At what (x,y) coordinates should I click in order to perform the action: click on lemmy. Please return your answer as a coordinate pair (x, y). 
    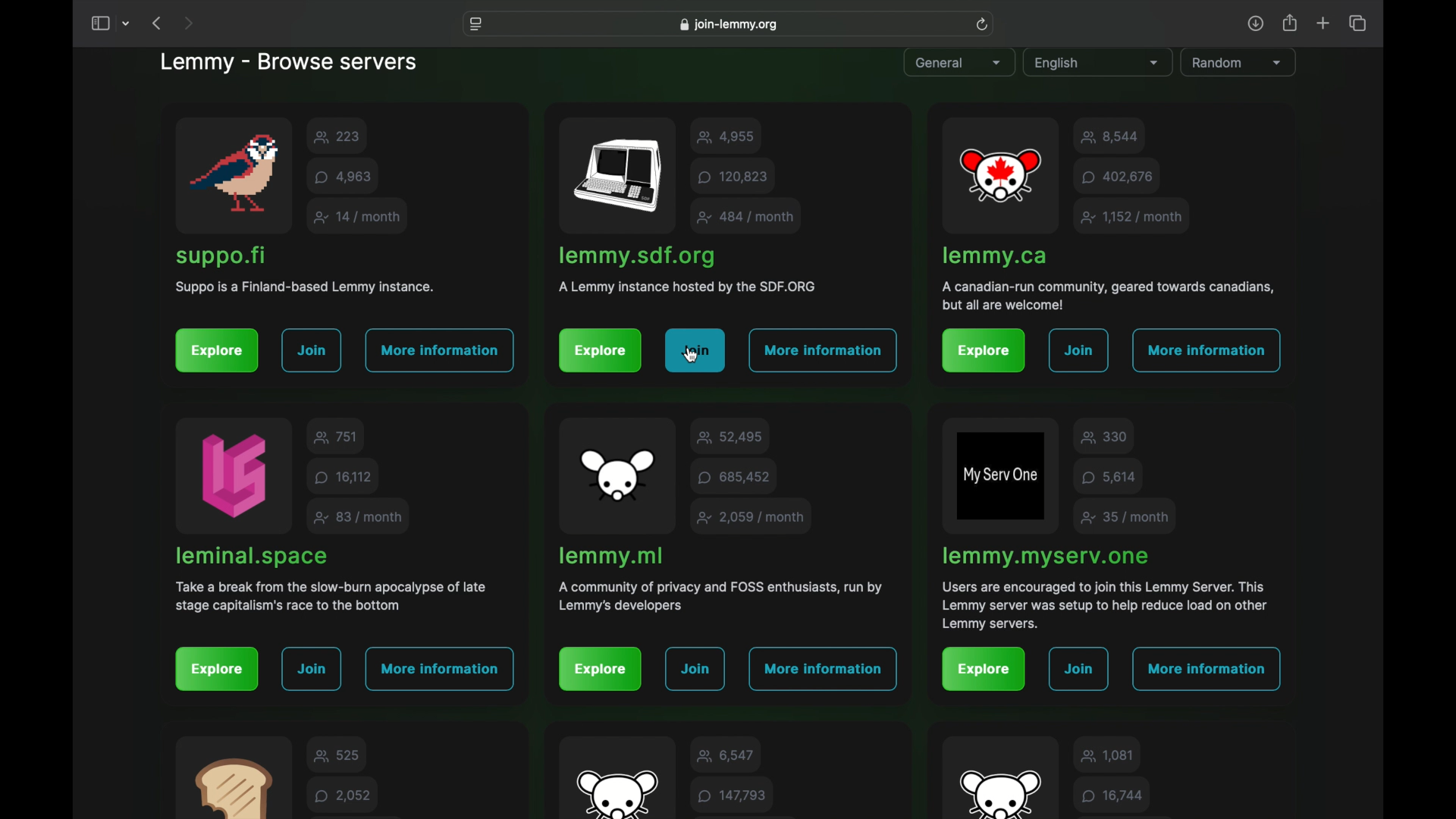
    Looking at the image, I should click on (616, 791).